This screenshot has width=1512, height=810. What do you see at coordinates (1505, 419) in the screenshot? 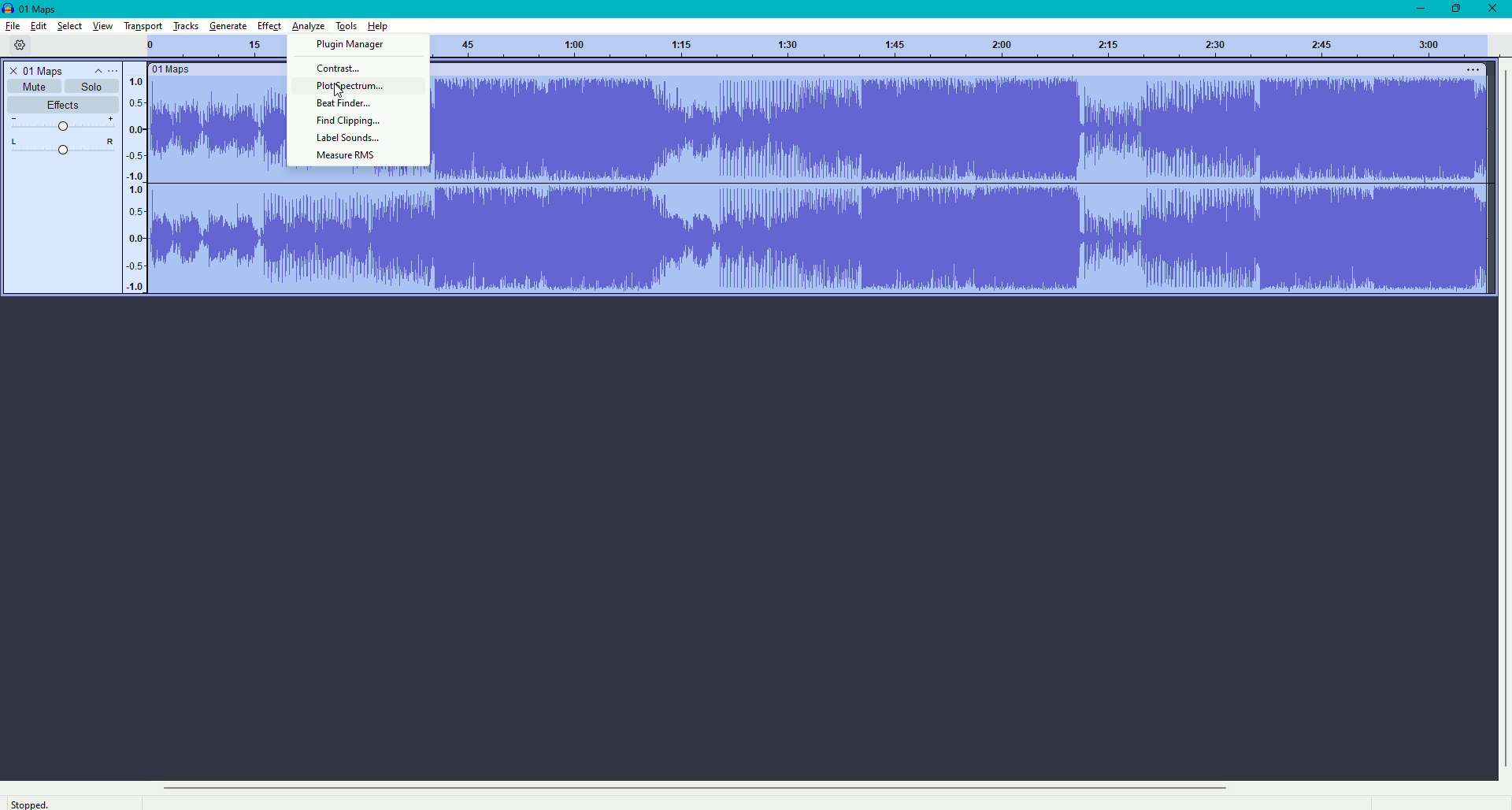
I see `vertical scrollbar` at bounding box center [1505, 419].